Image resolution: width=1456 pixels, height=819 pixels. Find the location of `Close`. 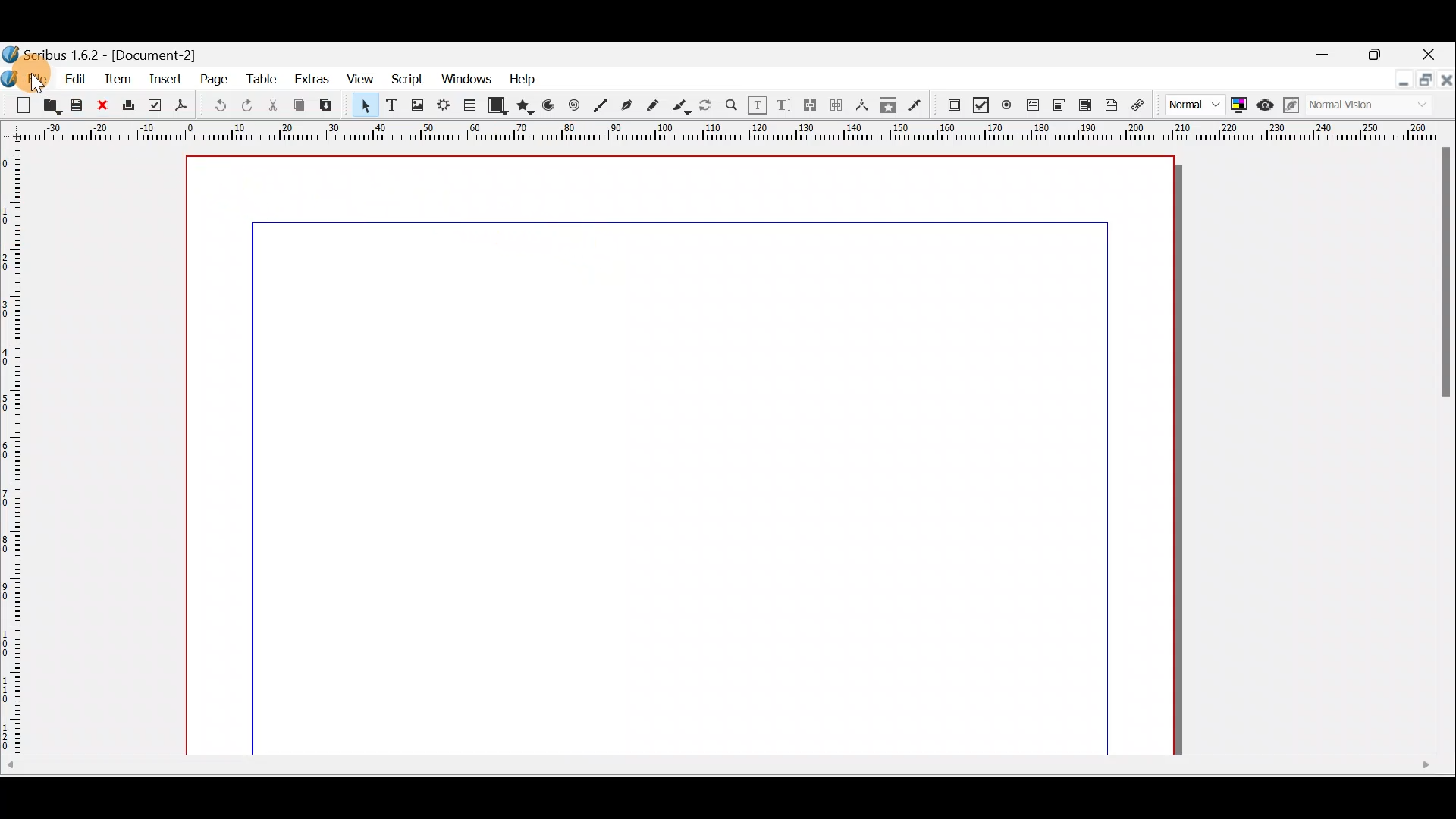

Close is located at coordinates (1436, 52).